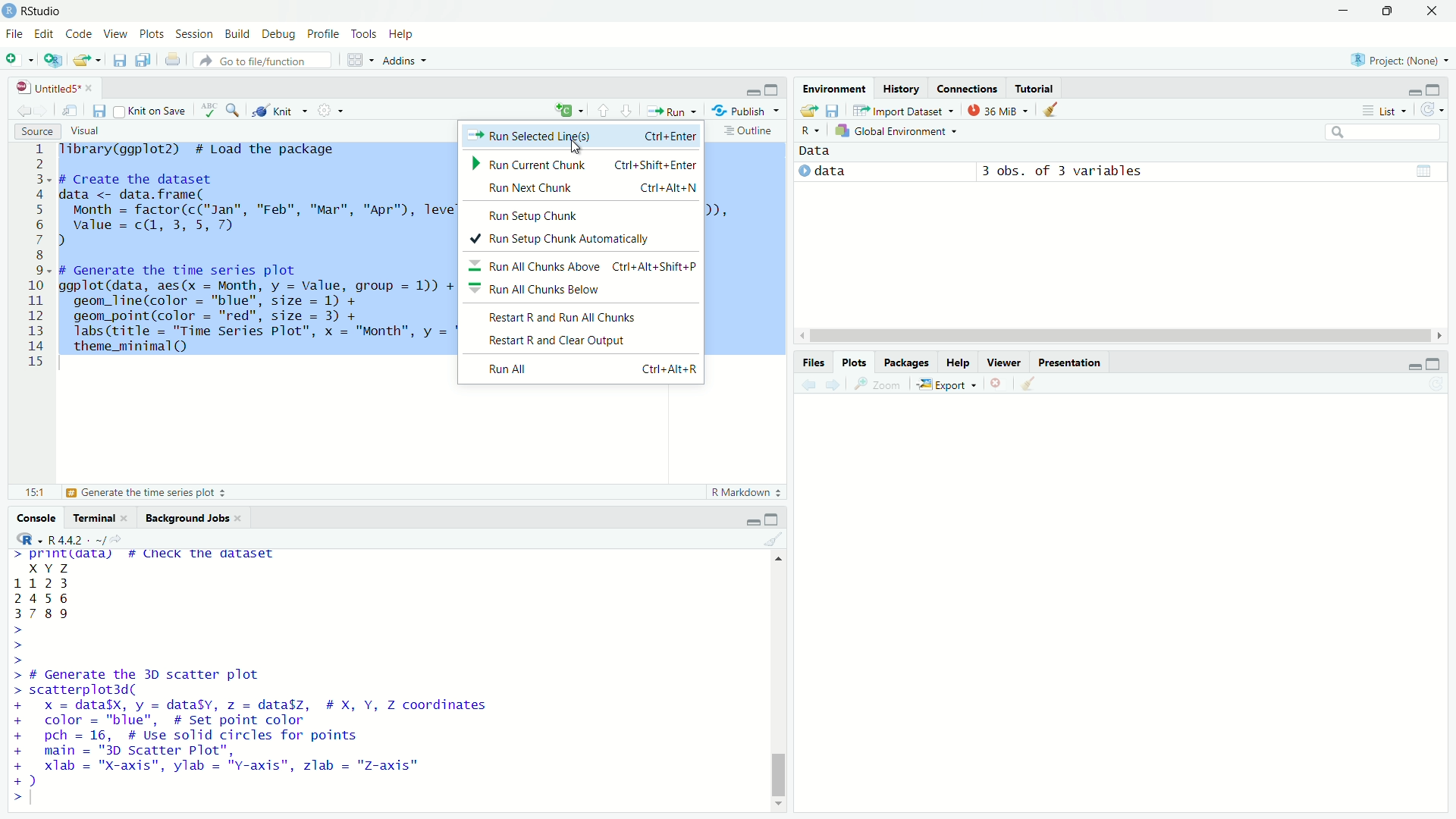  Describe the element at coordinates (748, 109) in the screenshot. I see `publish` at that location.